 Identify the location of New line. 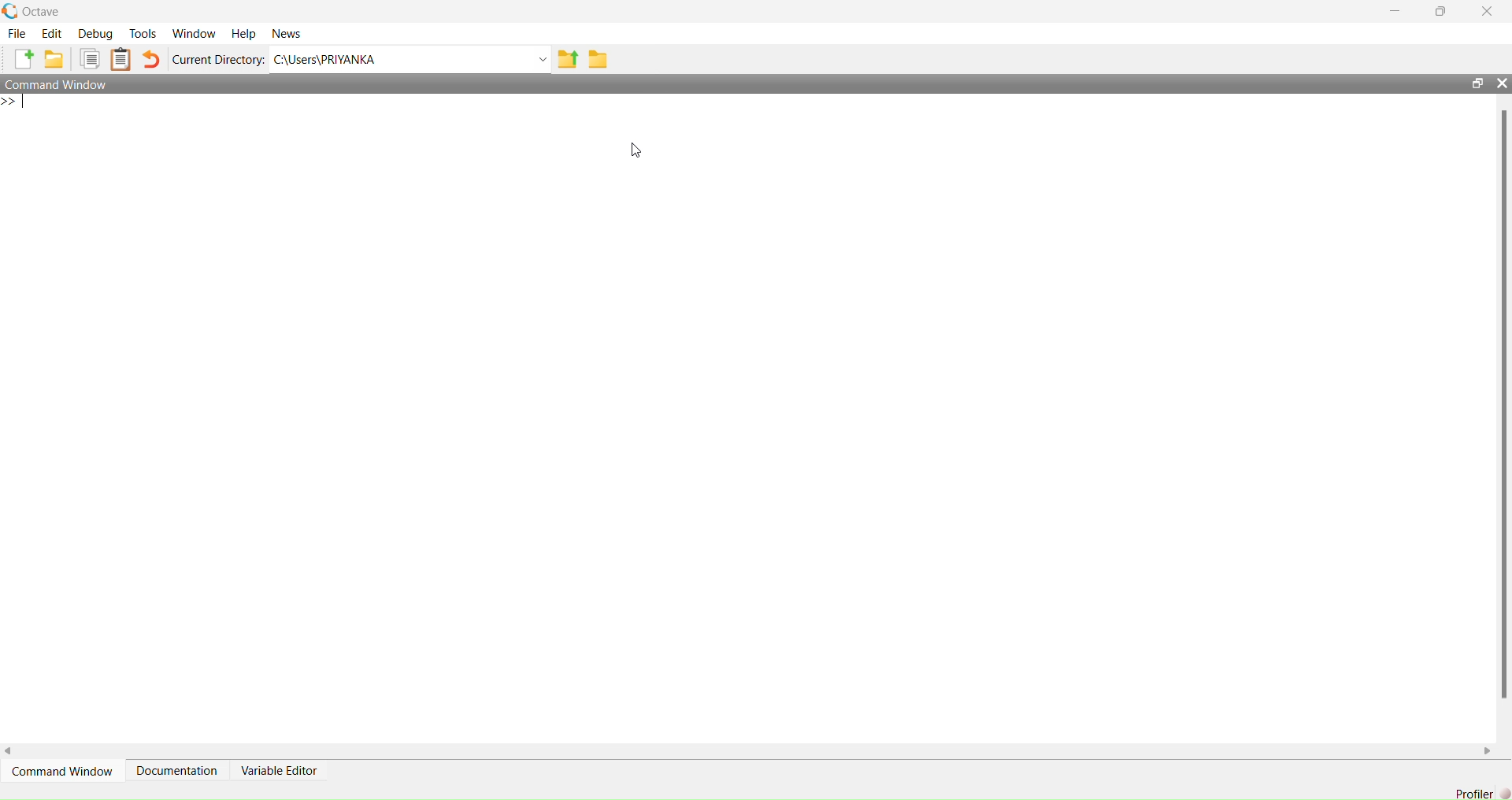
(14, 102).